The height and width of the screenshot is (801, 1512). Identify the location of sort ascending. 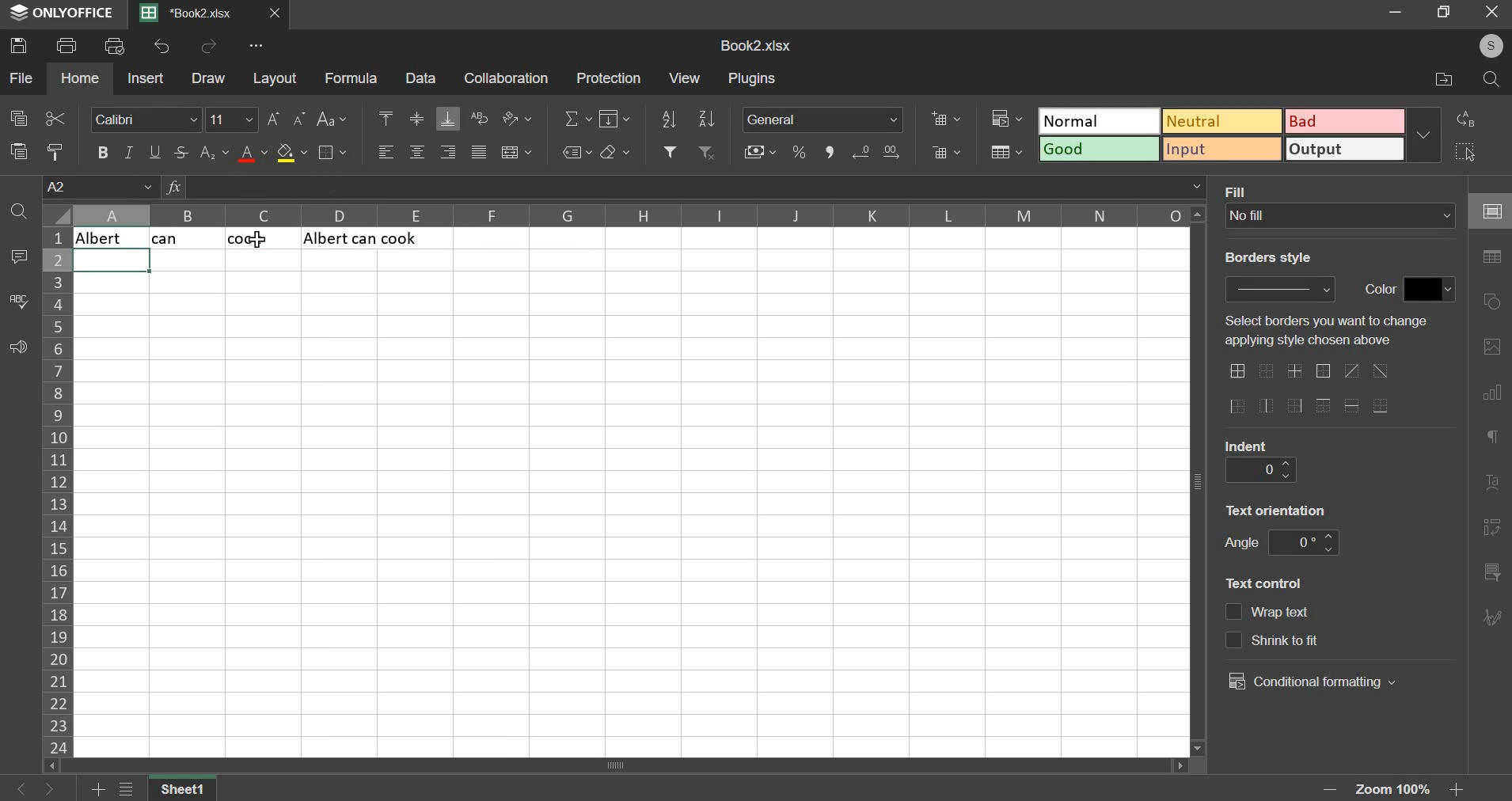
(669, 116).